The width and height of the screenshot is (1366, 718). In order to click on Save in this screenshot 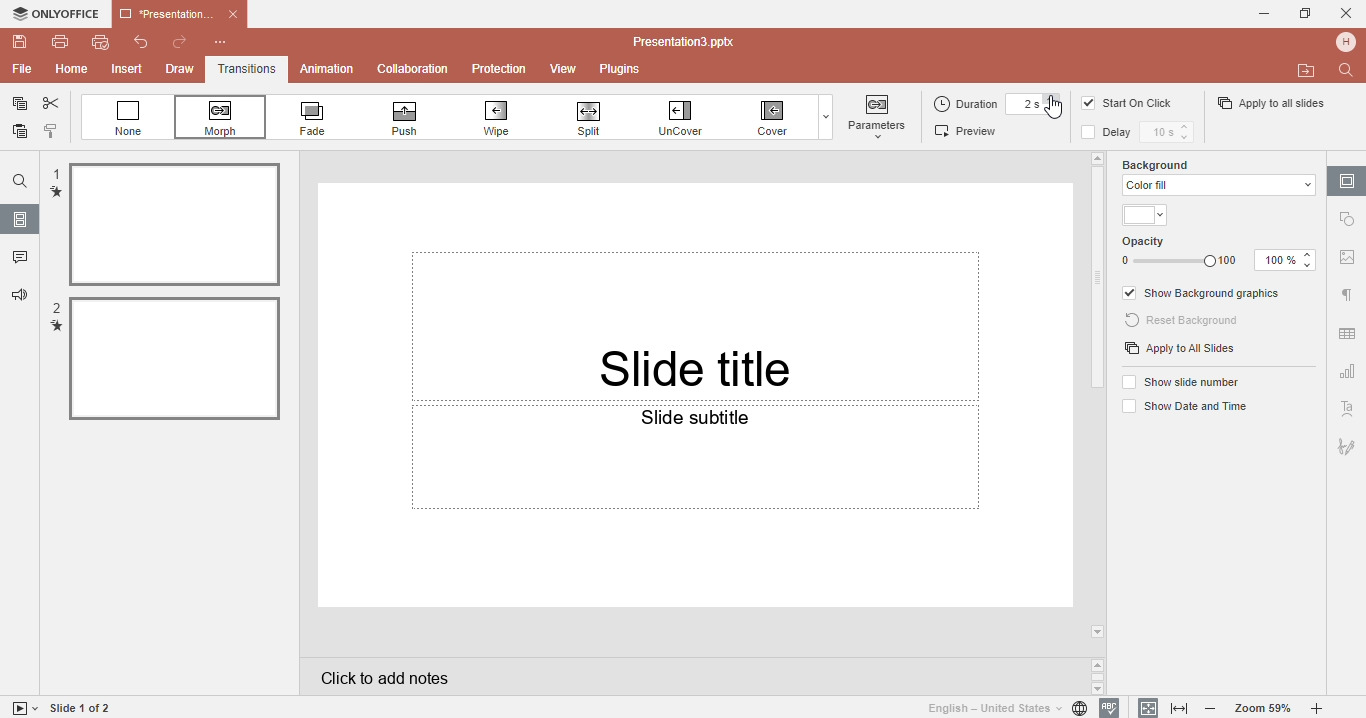, I will do `click(17, 42)`.